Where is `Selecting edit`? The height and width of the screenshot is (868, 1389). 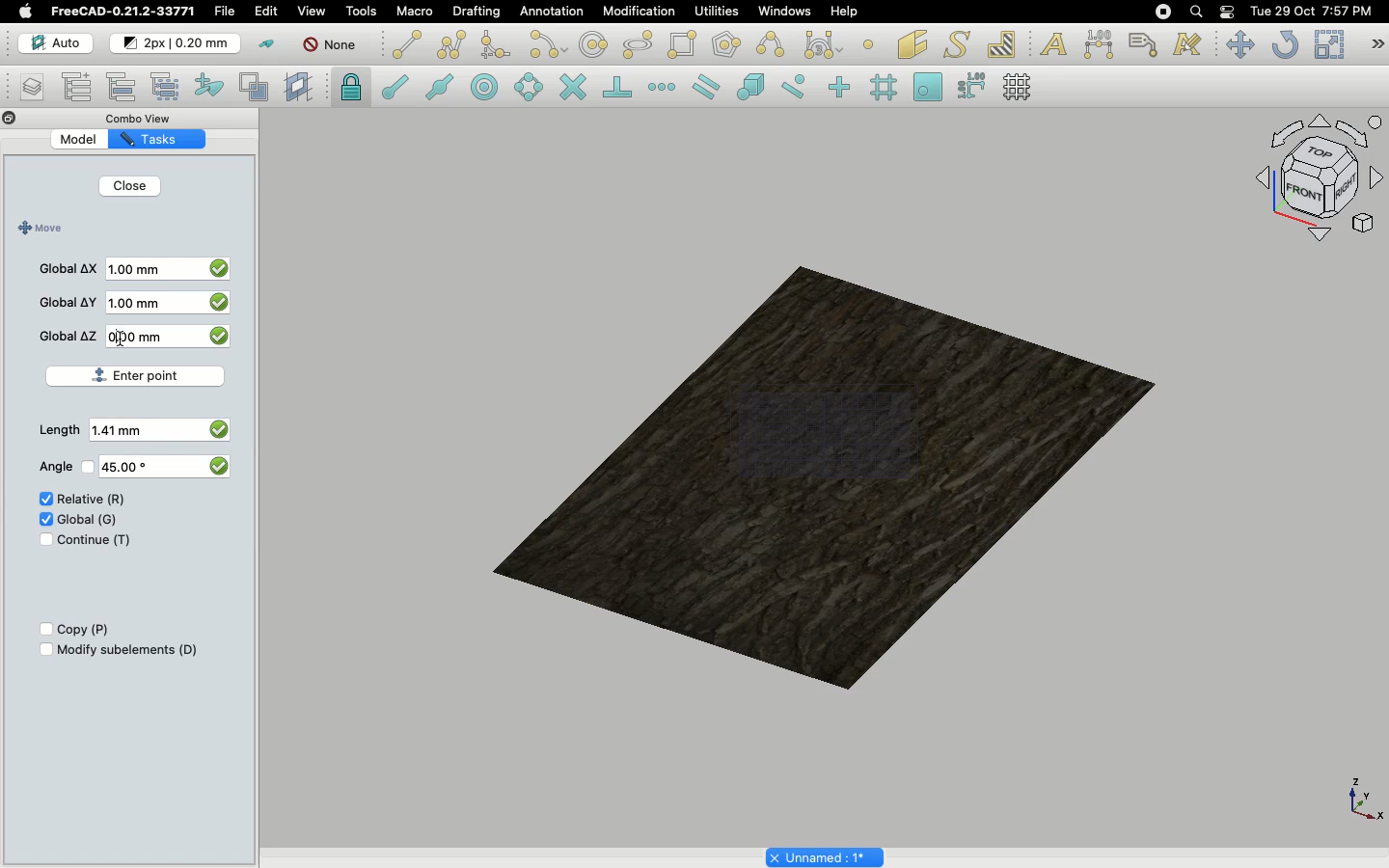
Selecting edit is located at coordinates (270, 13).